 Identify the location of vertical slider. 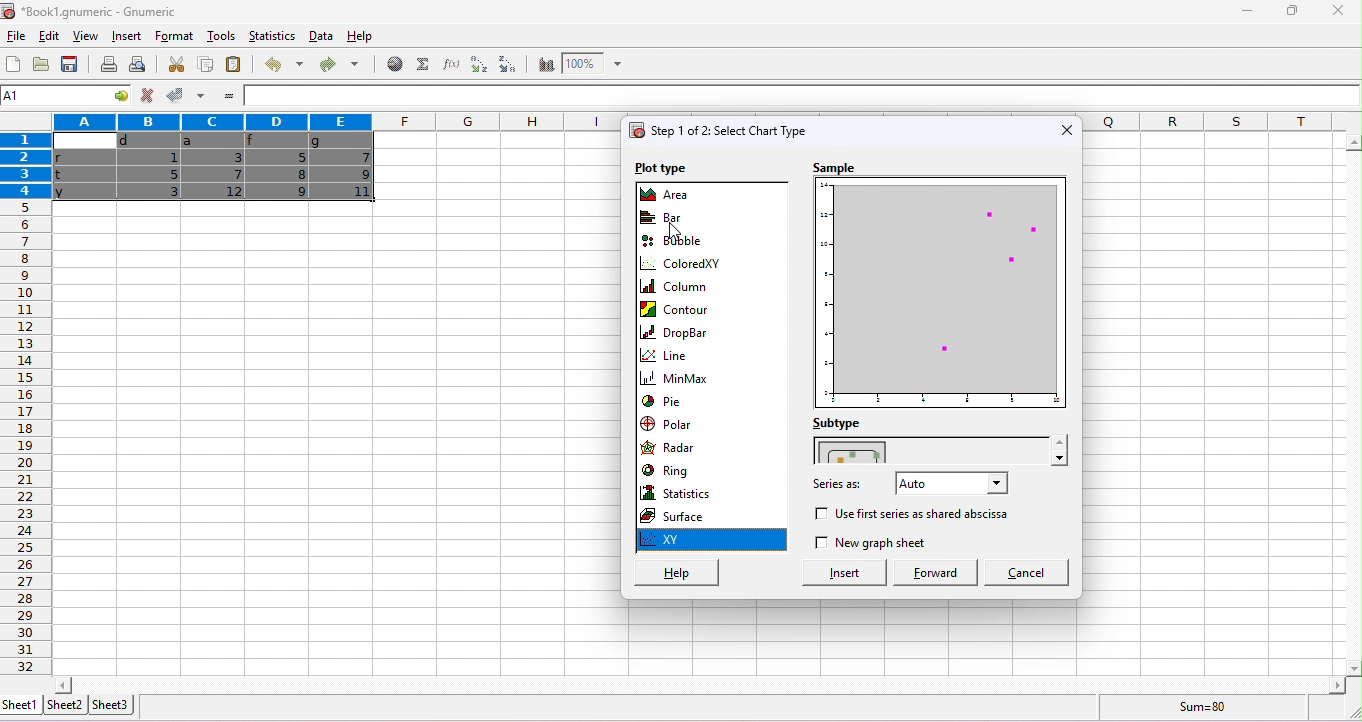
(1353, 403).